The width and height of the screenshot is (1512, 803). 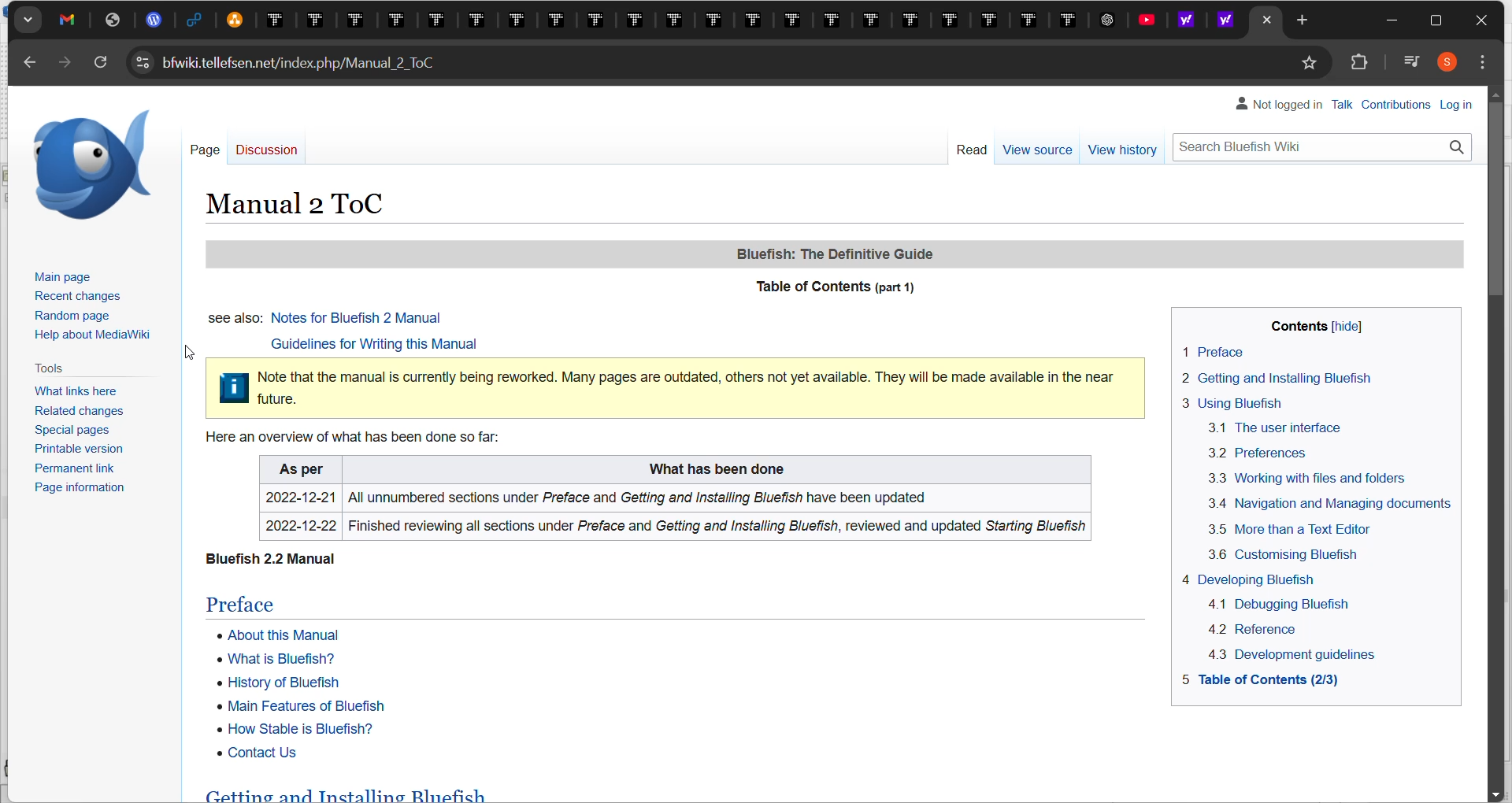 What do you see at coordinates (1456, 62) in the screenshot?
I see `profile` at bounding box center [1456, 62].